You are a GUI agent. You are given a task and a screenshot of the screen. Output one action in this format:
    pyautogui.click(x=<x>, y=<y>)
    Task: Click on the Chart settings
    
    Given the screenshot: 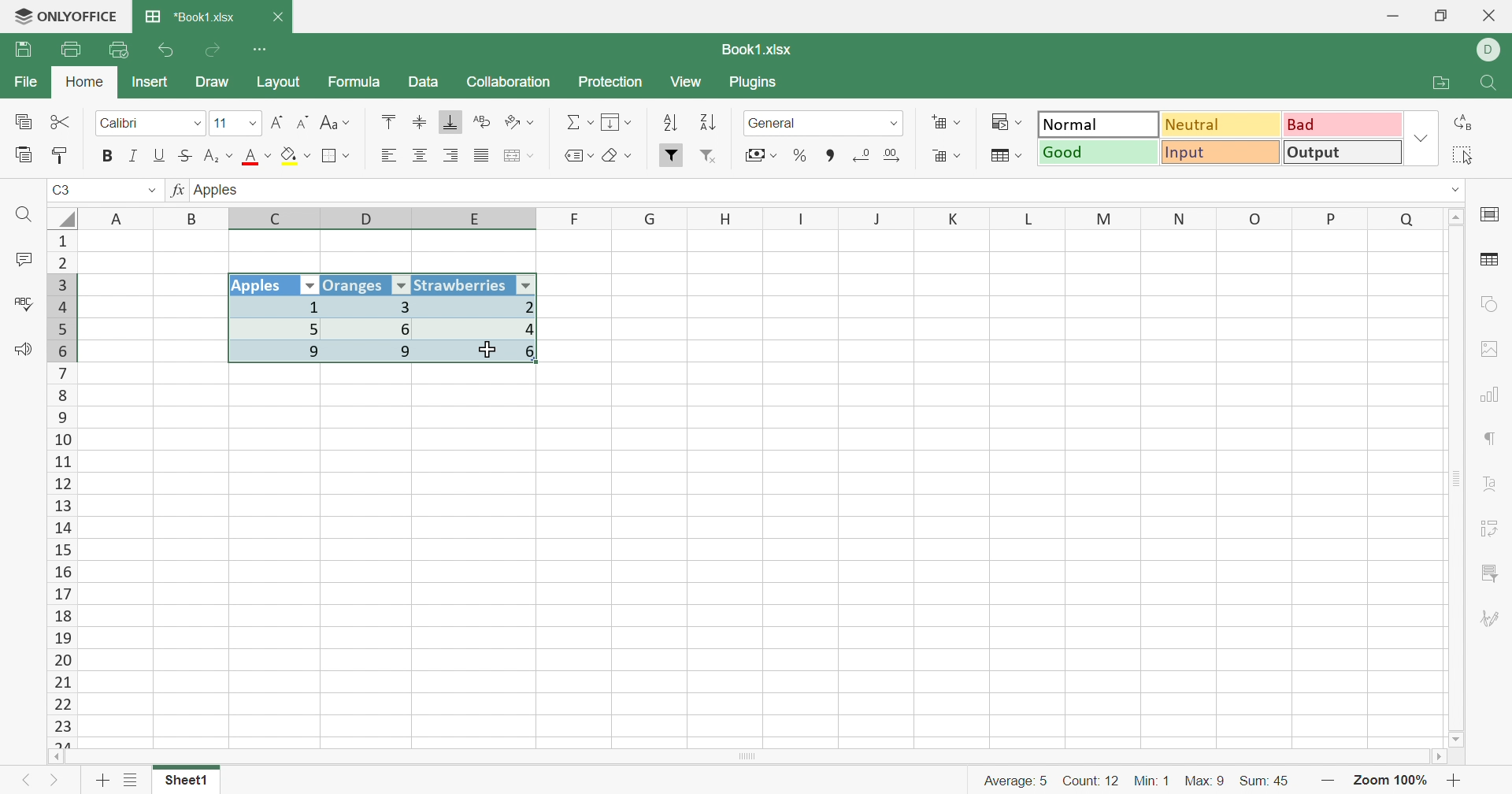 What is the action you would take?
    pyautogui.click(x=1495, y=394)
    